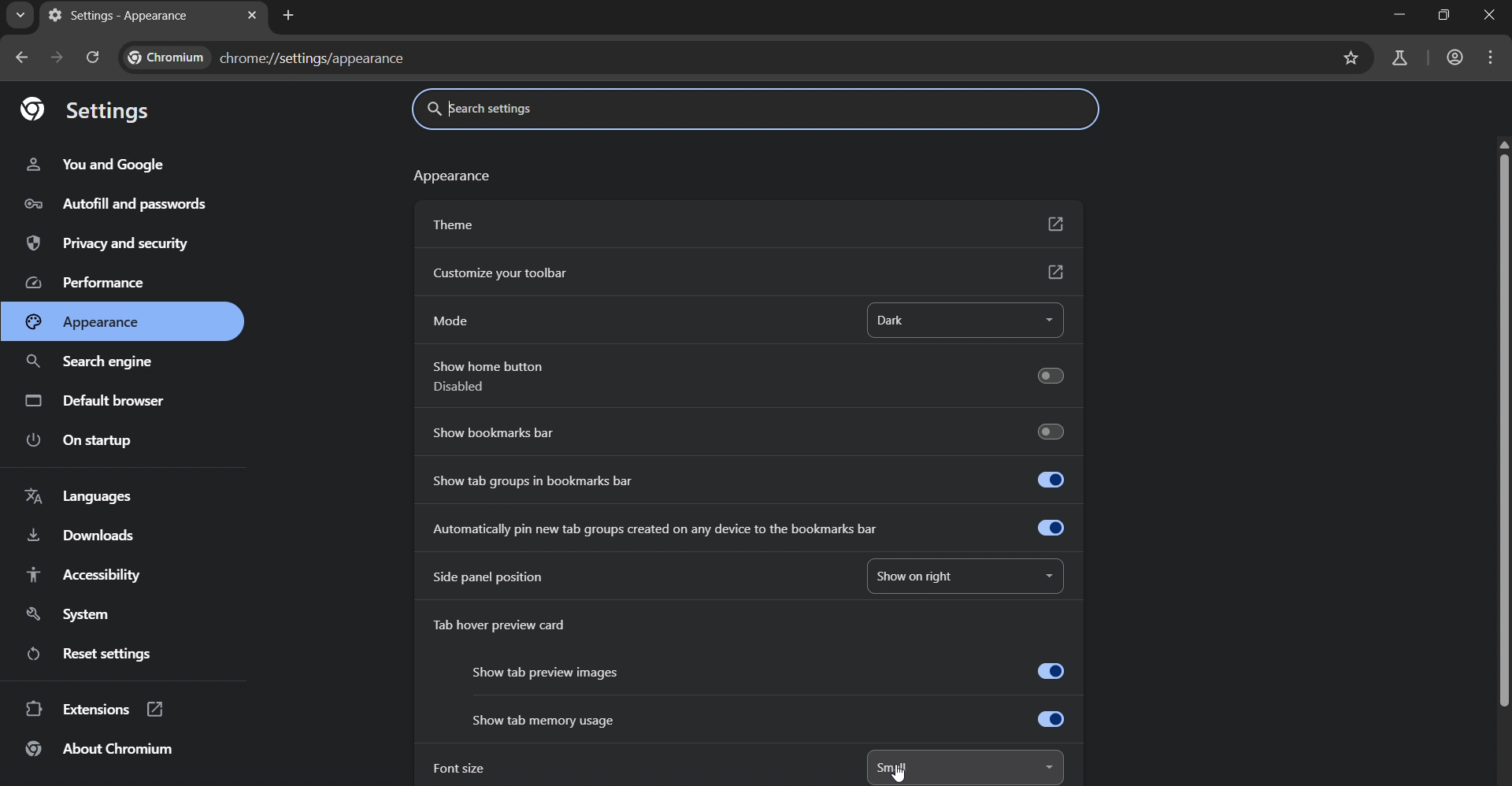 This screenshot has width=1512, height=786. Describe the element at coordinates (747, 273) in the screenshot. I see `customize toolbar` at that location.